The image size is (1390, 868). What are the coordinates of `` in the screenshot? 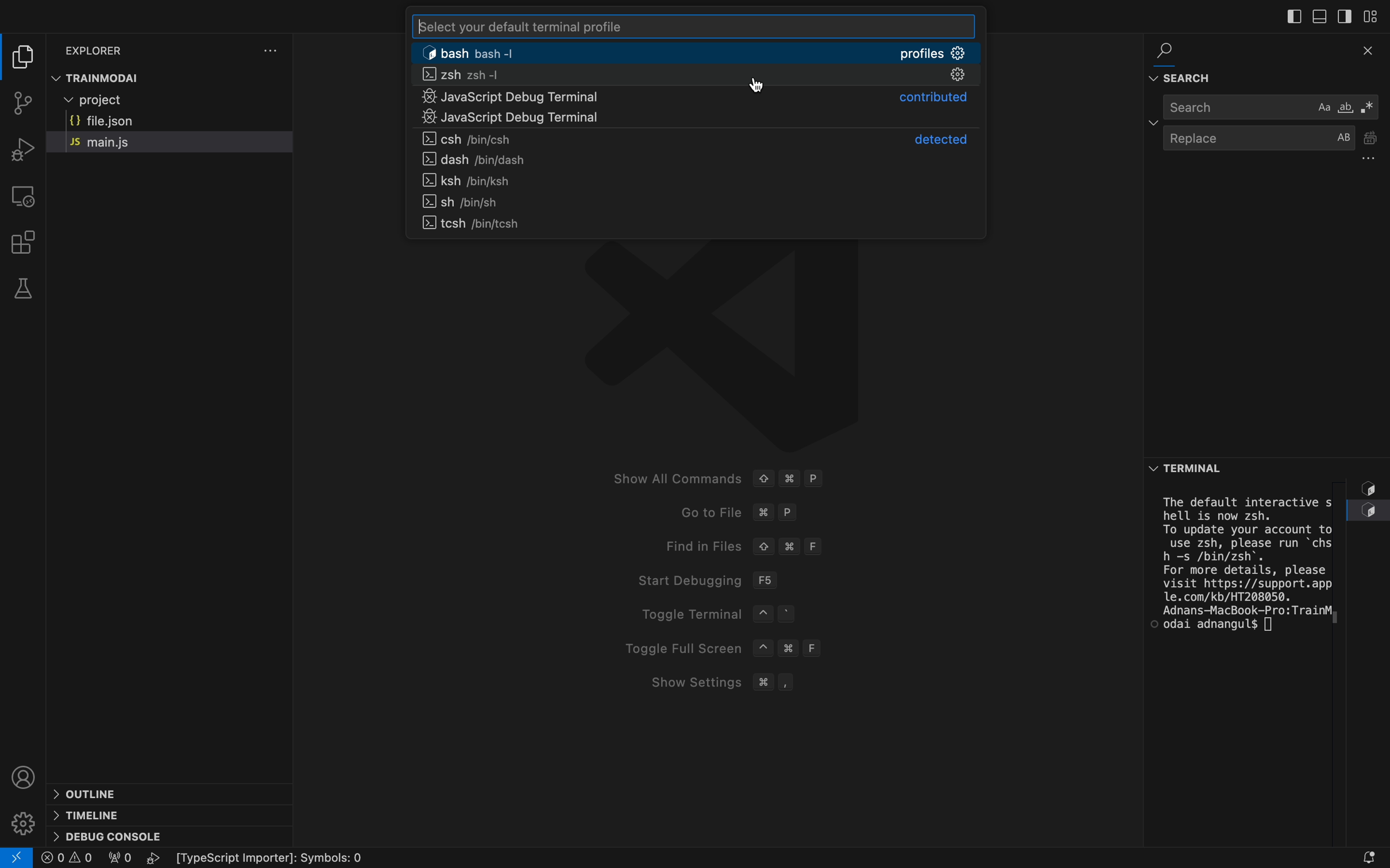 It's located at (698, 181).